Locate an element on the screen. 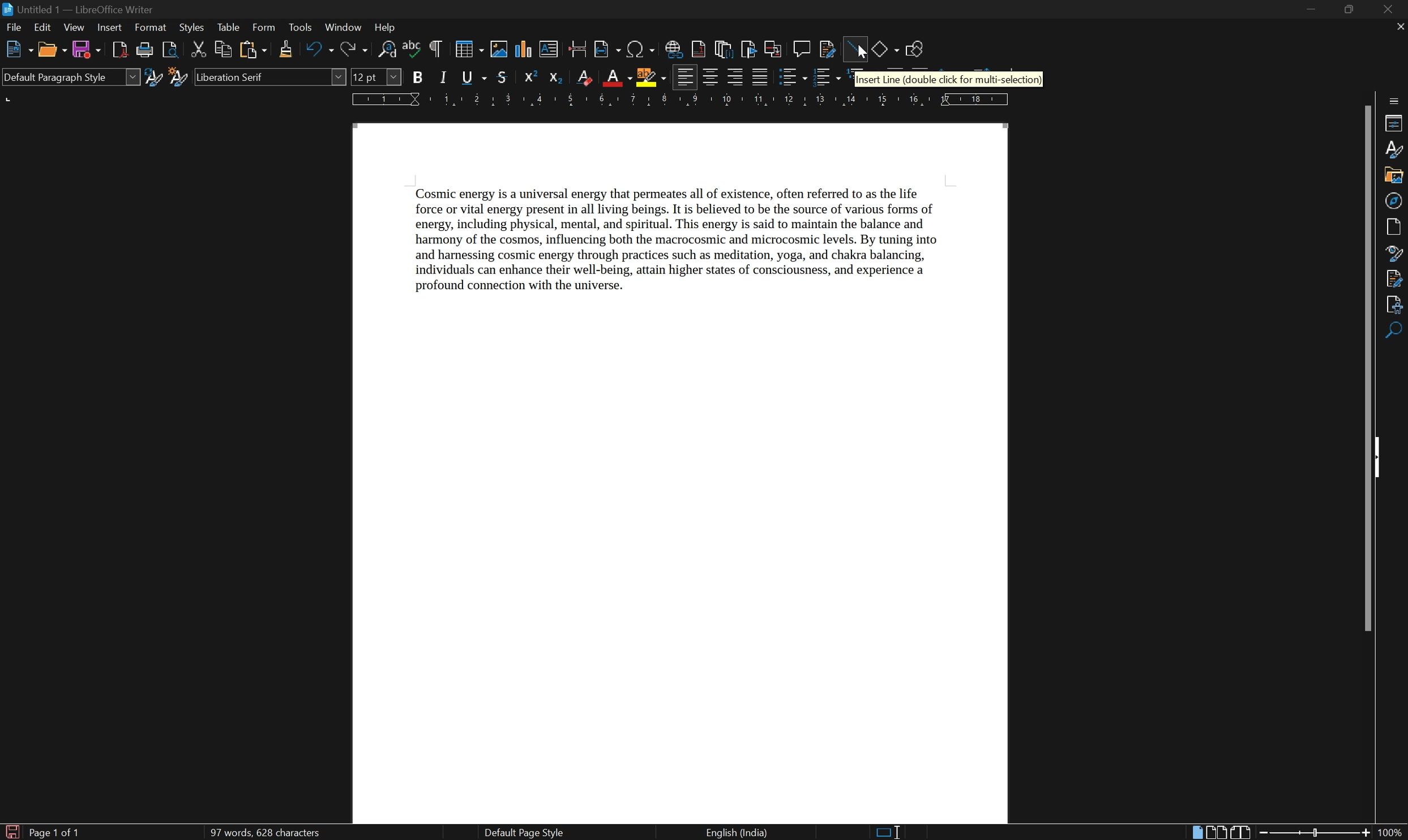 The width and height of the screenshot is (1408, 840). insert line is located at coordinates (854, 47).